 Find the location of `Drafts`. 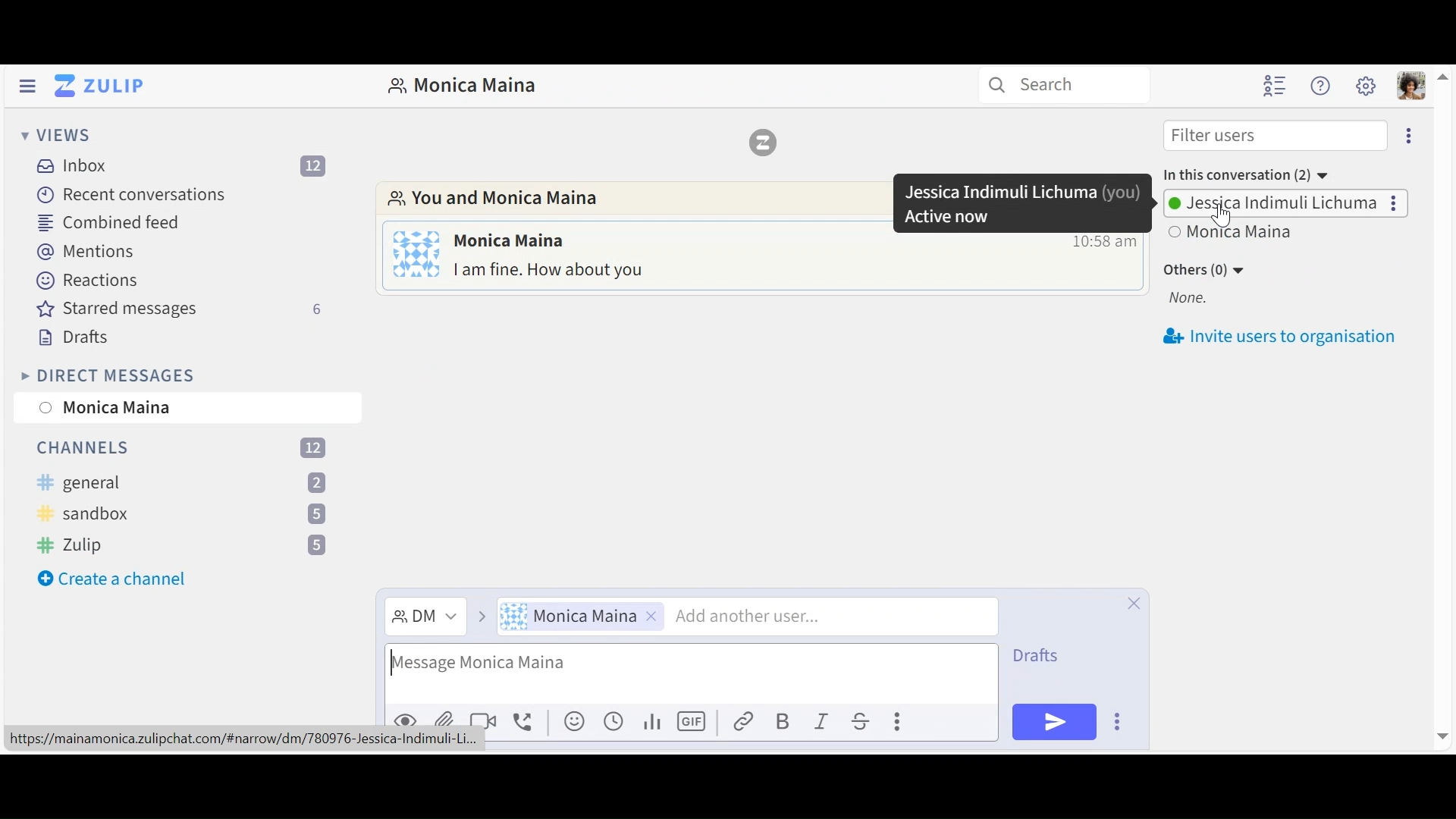

Drafts is located at coordinates (1043, 654).